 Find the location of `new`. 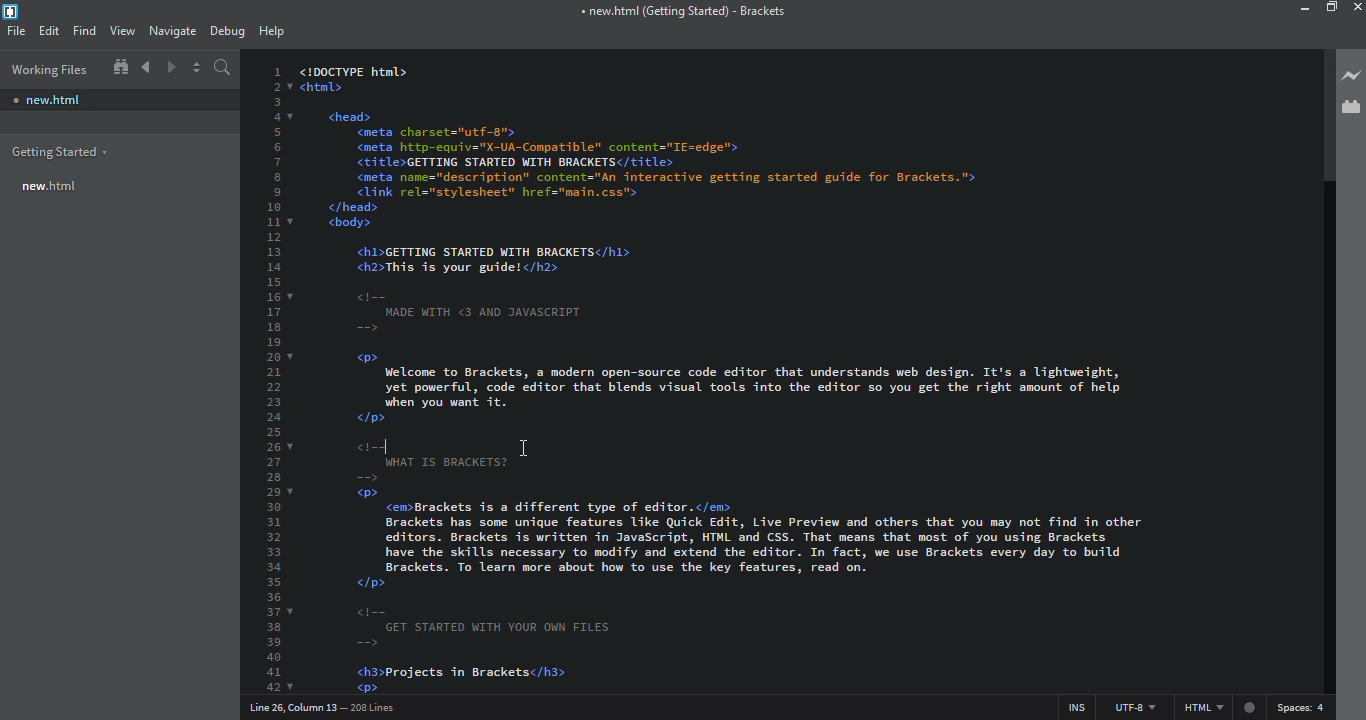

new is located at coordinates (48, 187).